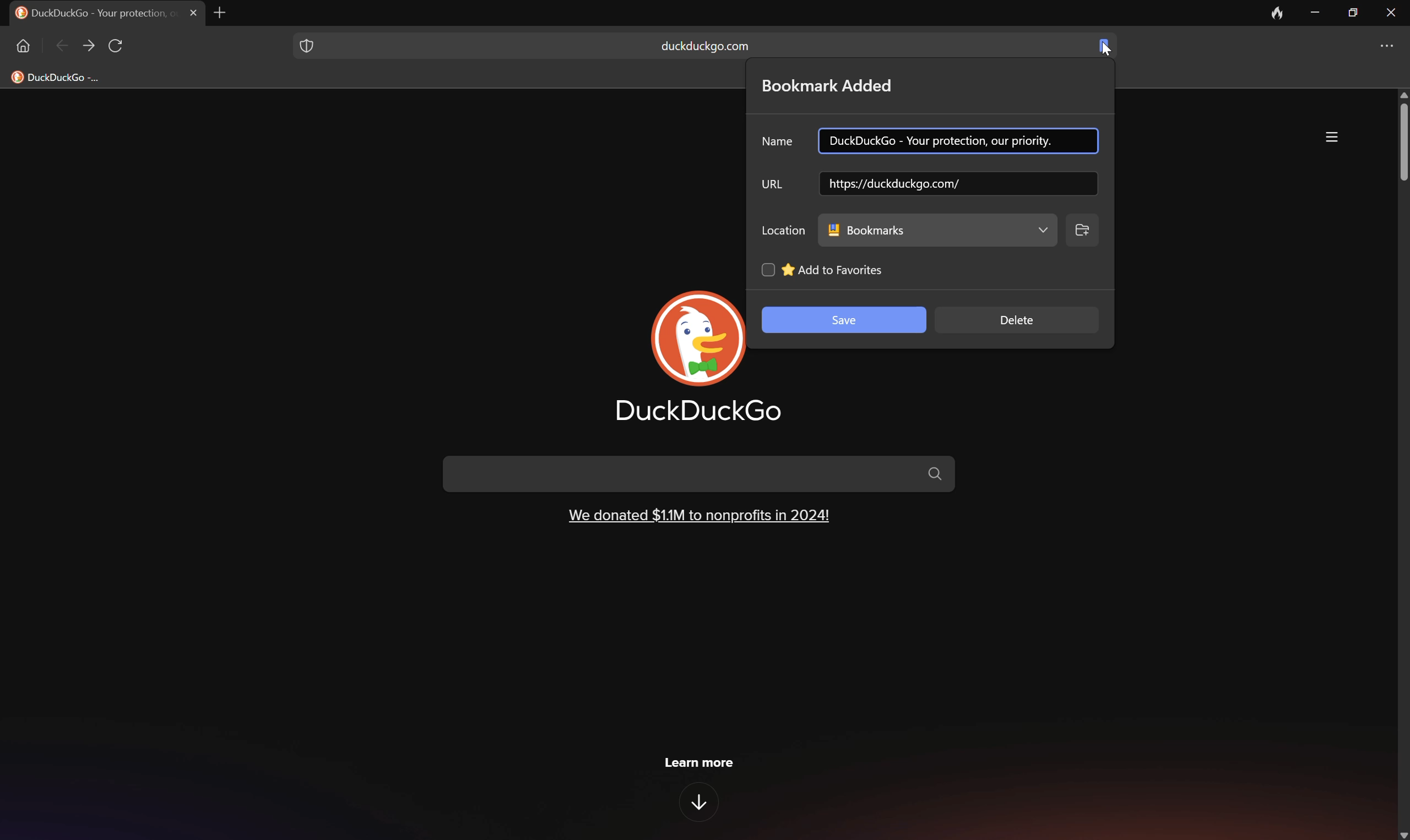 The height and width of the screenshot is (840, 1410). I want to click on Next, so click(89, 46).